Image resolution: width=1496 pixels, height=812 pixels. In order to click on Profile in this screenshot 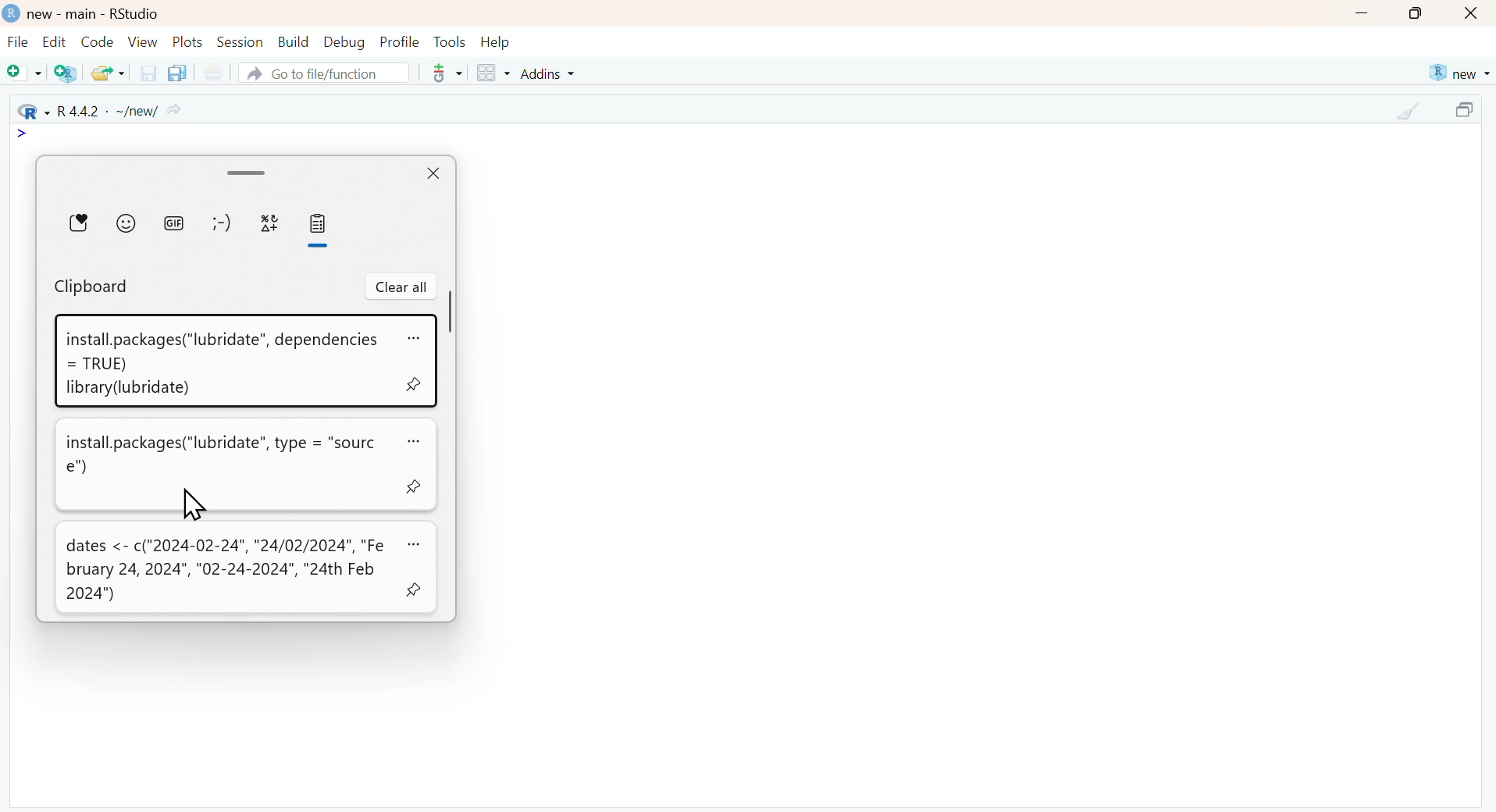, I will do `click(400, 41)`.